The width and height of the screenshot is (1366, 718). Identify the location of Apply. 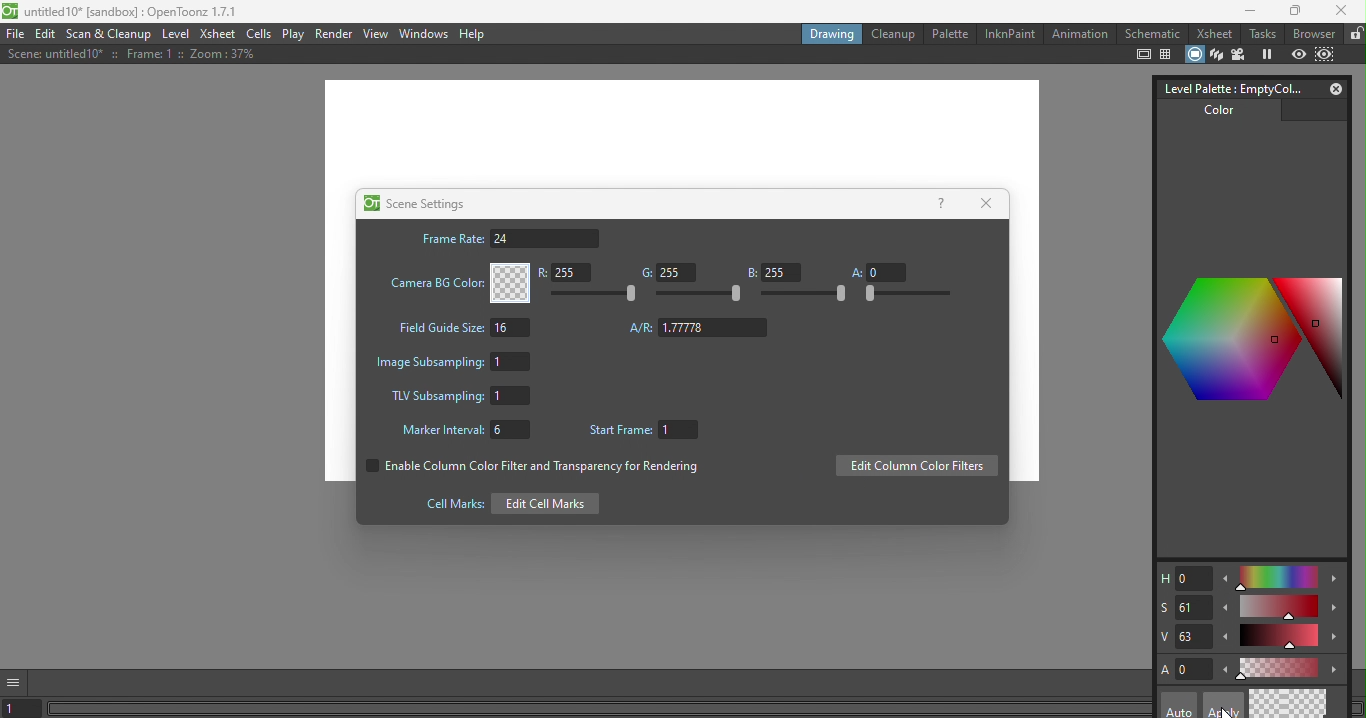
(1221, 705).